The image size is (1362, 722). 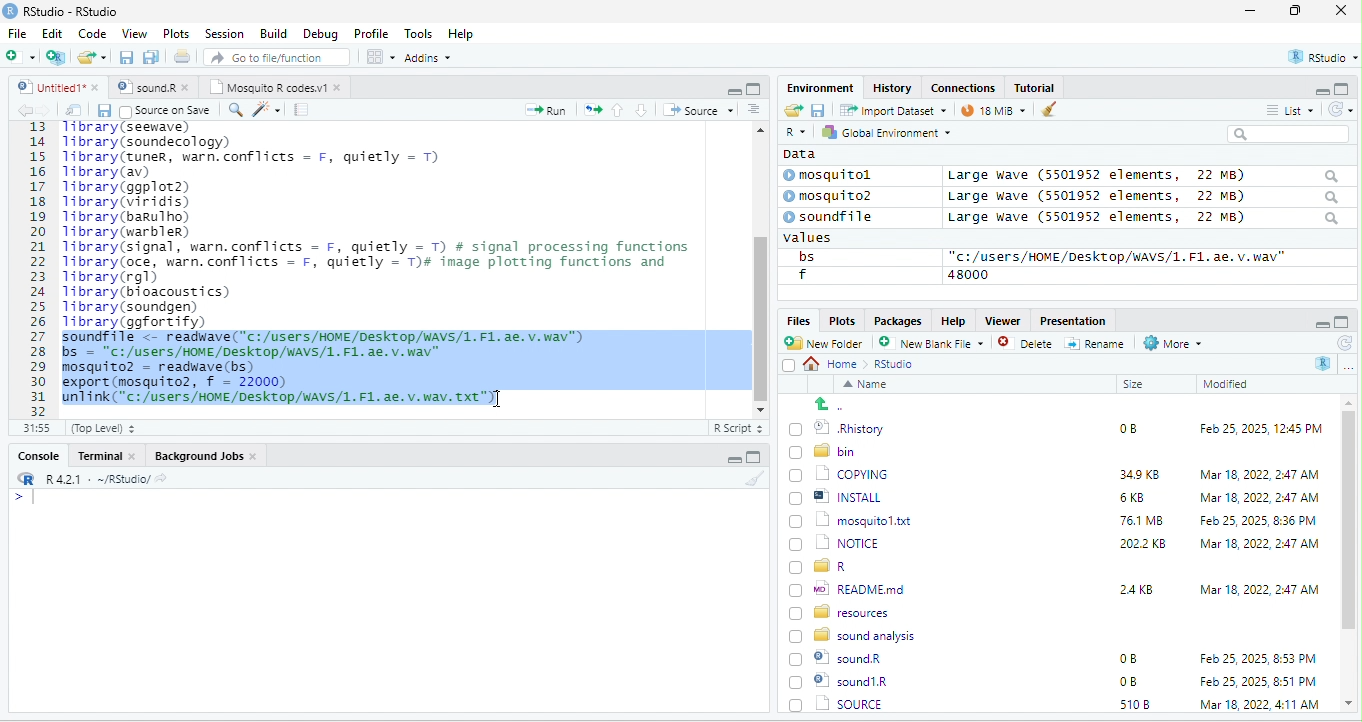 I want to click on | SOURCE, so click(x=848, y=681).